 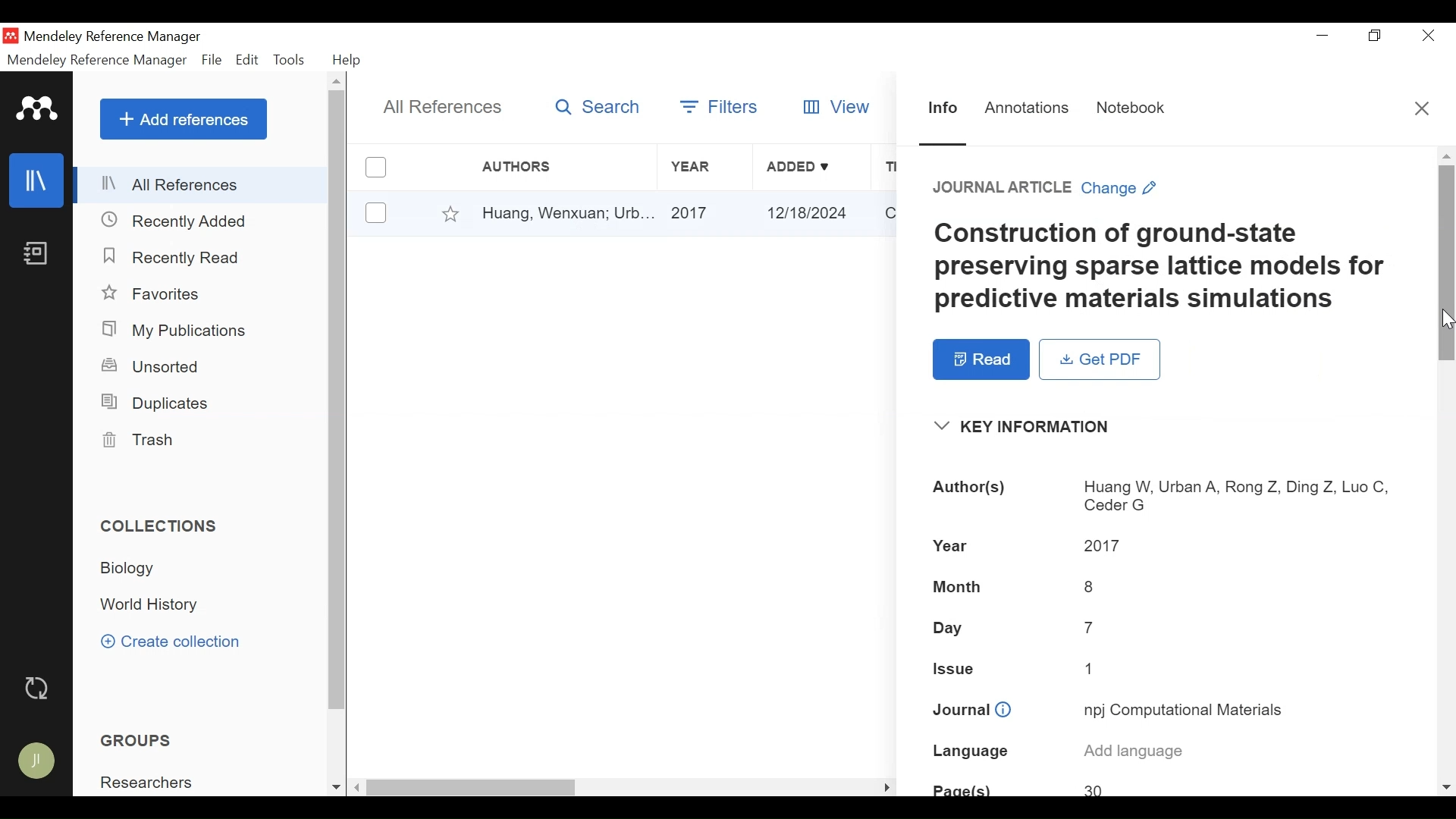 I want to click on 8, so click(x=1091, y=586).